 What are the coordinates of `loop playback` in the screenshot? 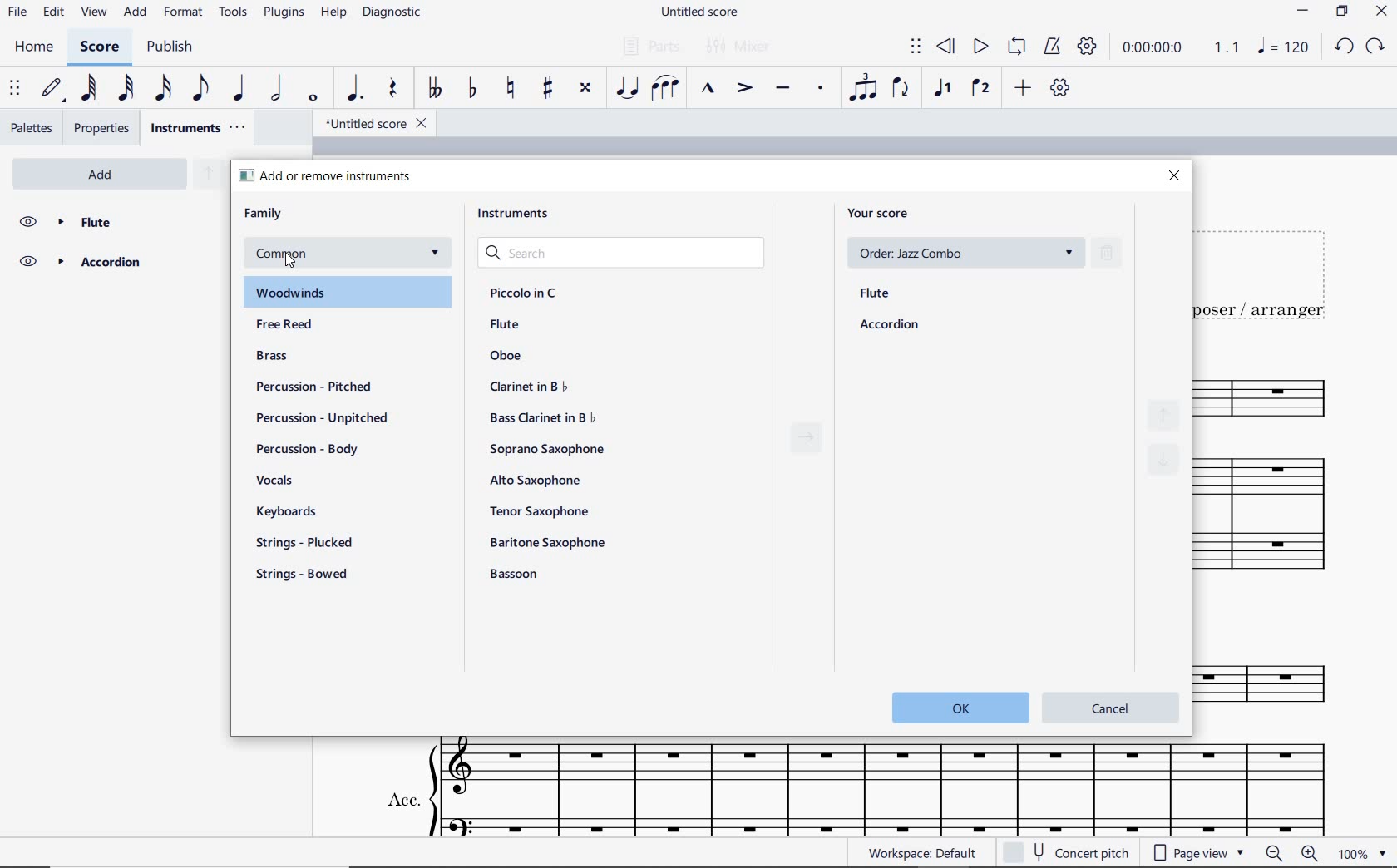 It's located at (1017, 47).